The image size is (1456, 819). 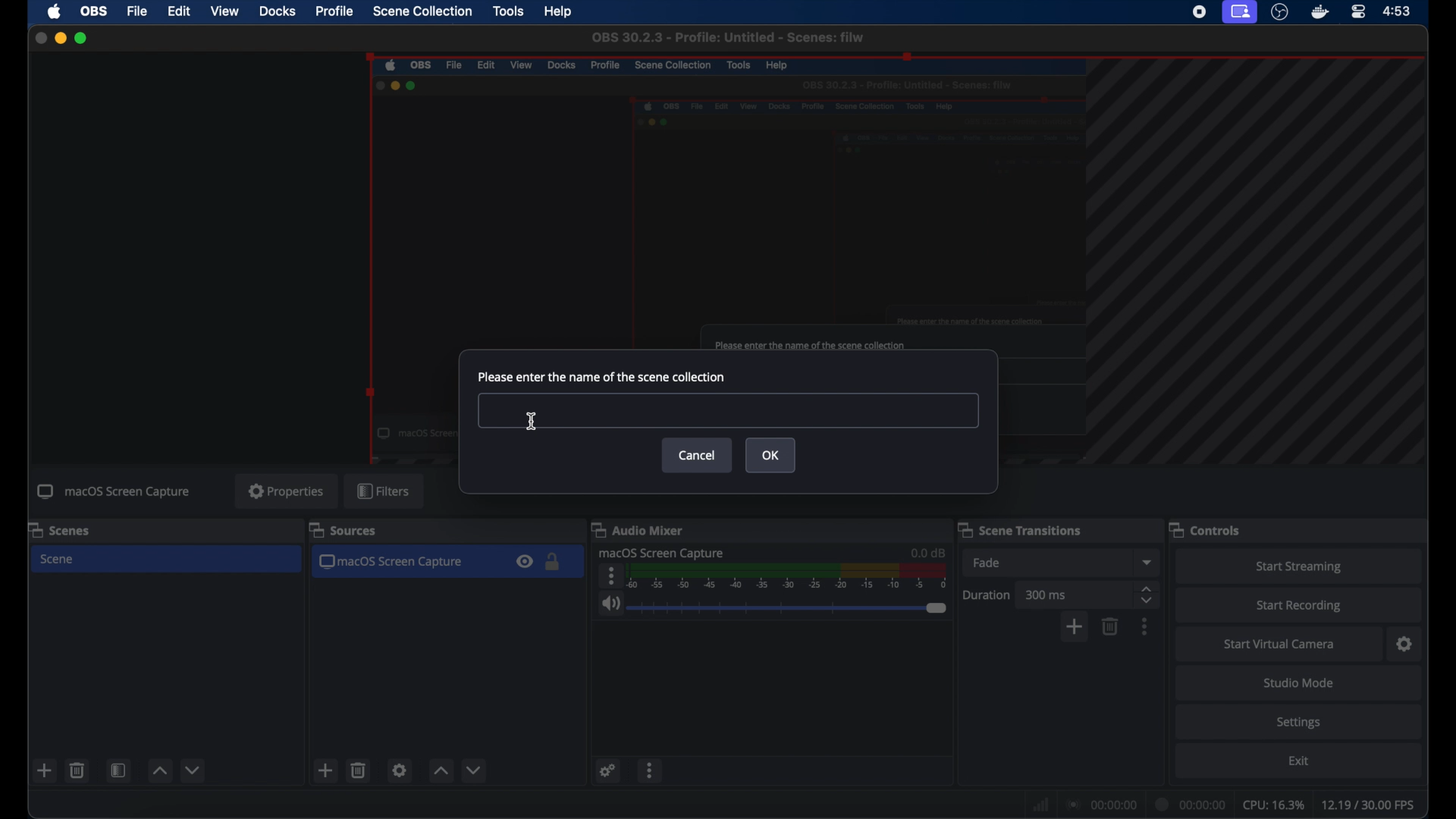 I want to click on scene, so click(x=61, y=560).